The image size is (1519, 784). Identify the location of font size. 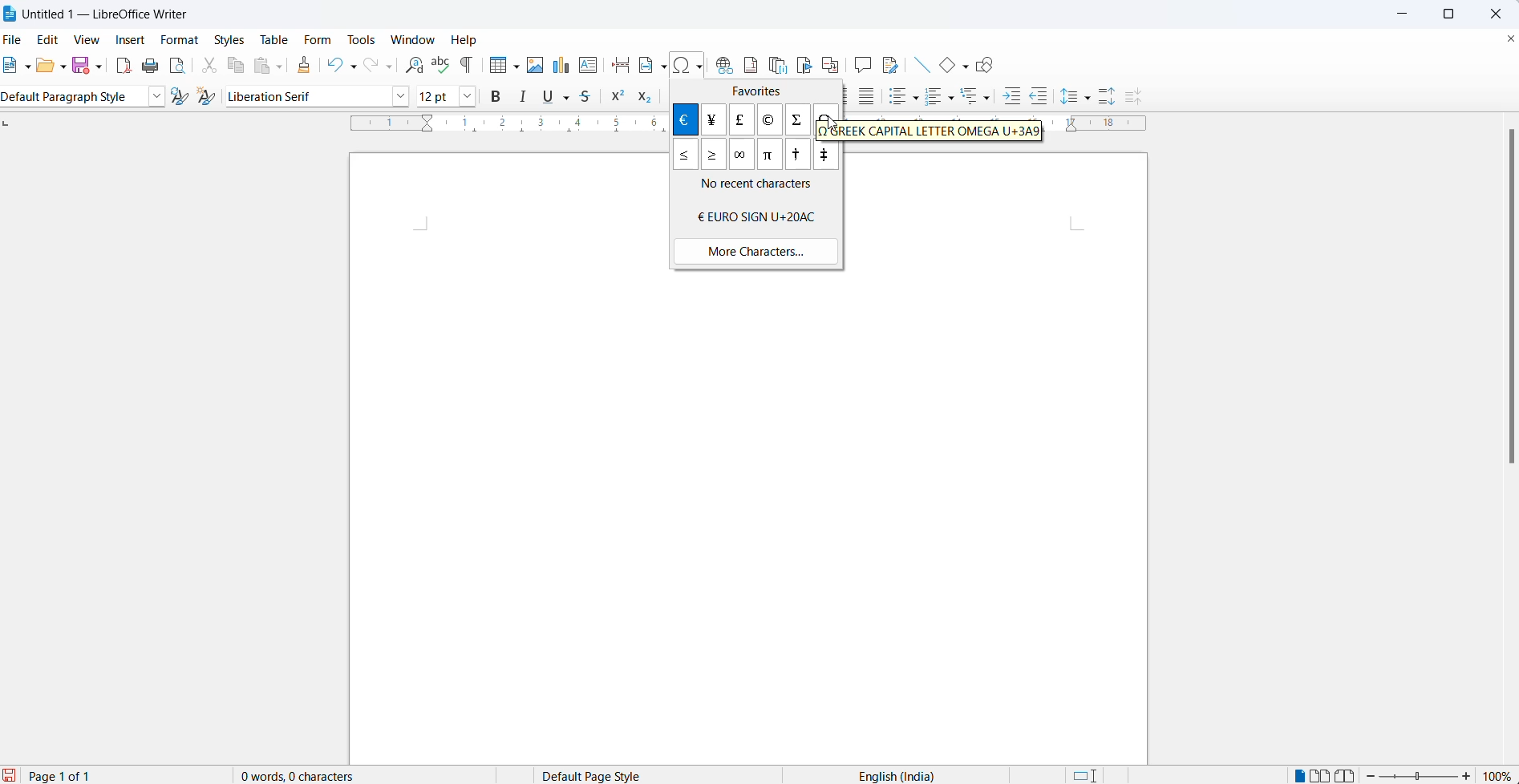
(436, 95).